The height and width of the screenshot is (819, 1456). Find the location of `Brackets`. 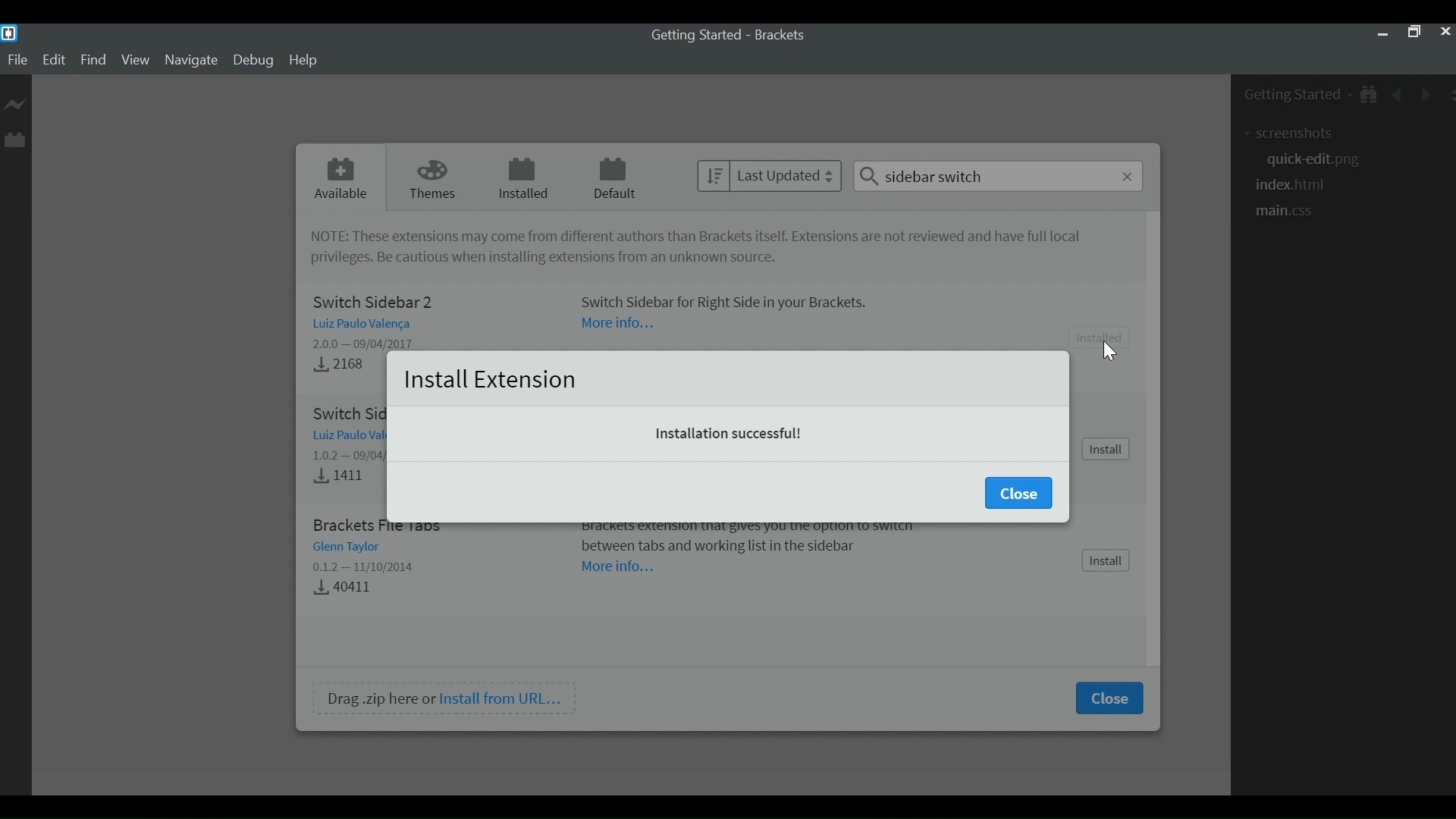

Brackets is located at coordinates (784, 35).